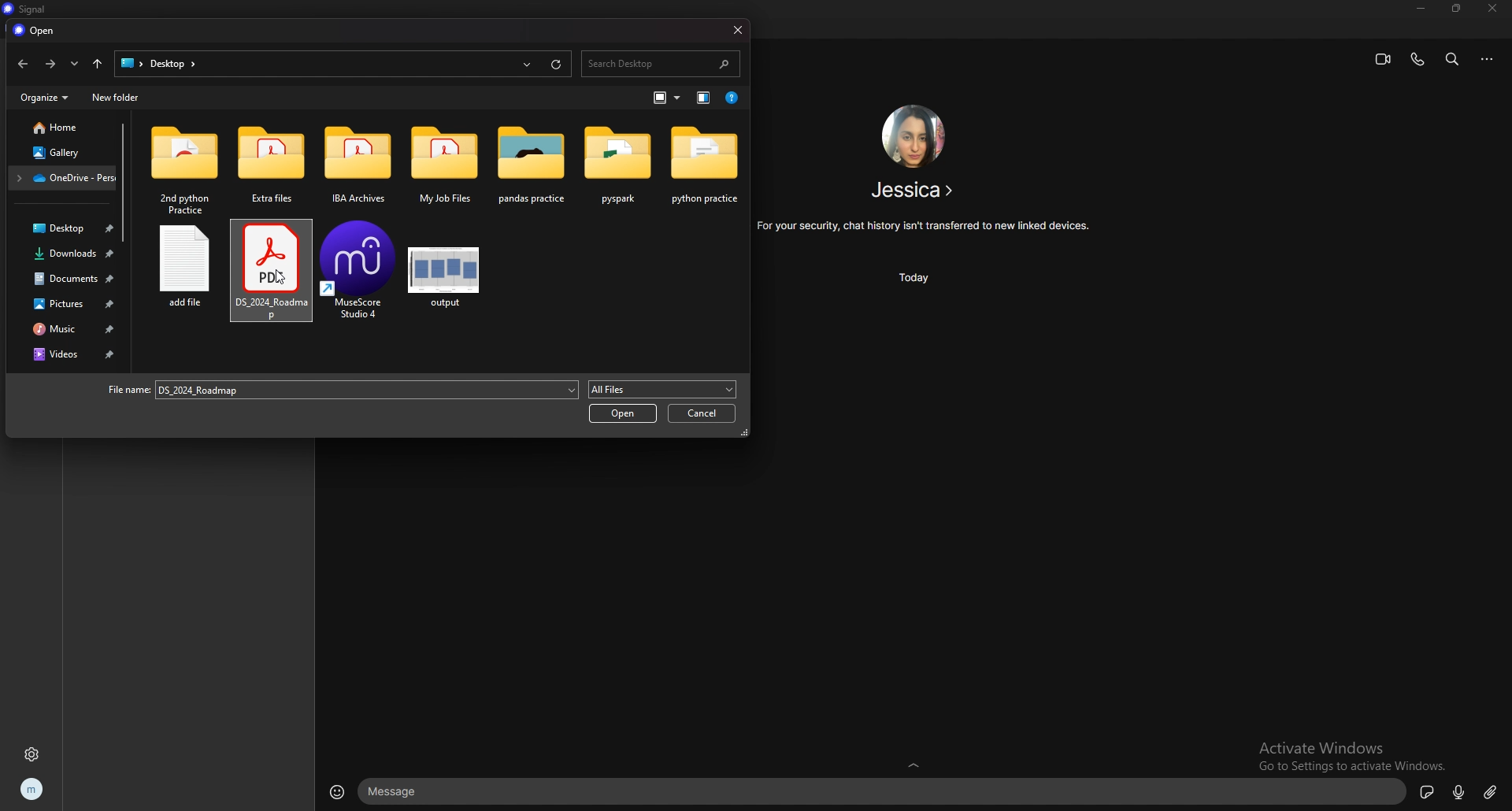 Image resolution: width=1512 pixels, height=811 pixels. What do you see at coordinates (915, 190) in the screenshot?
I see `contact name` at bounding box center [915, 190].